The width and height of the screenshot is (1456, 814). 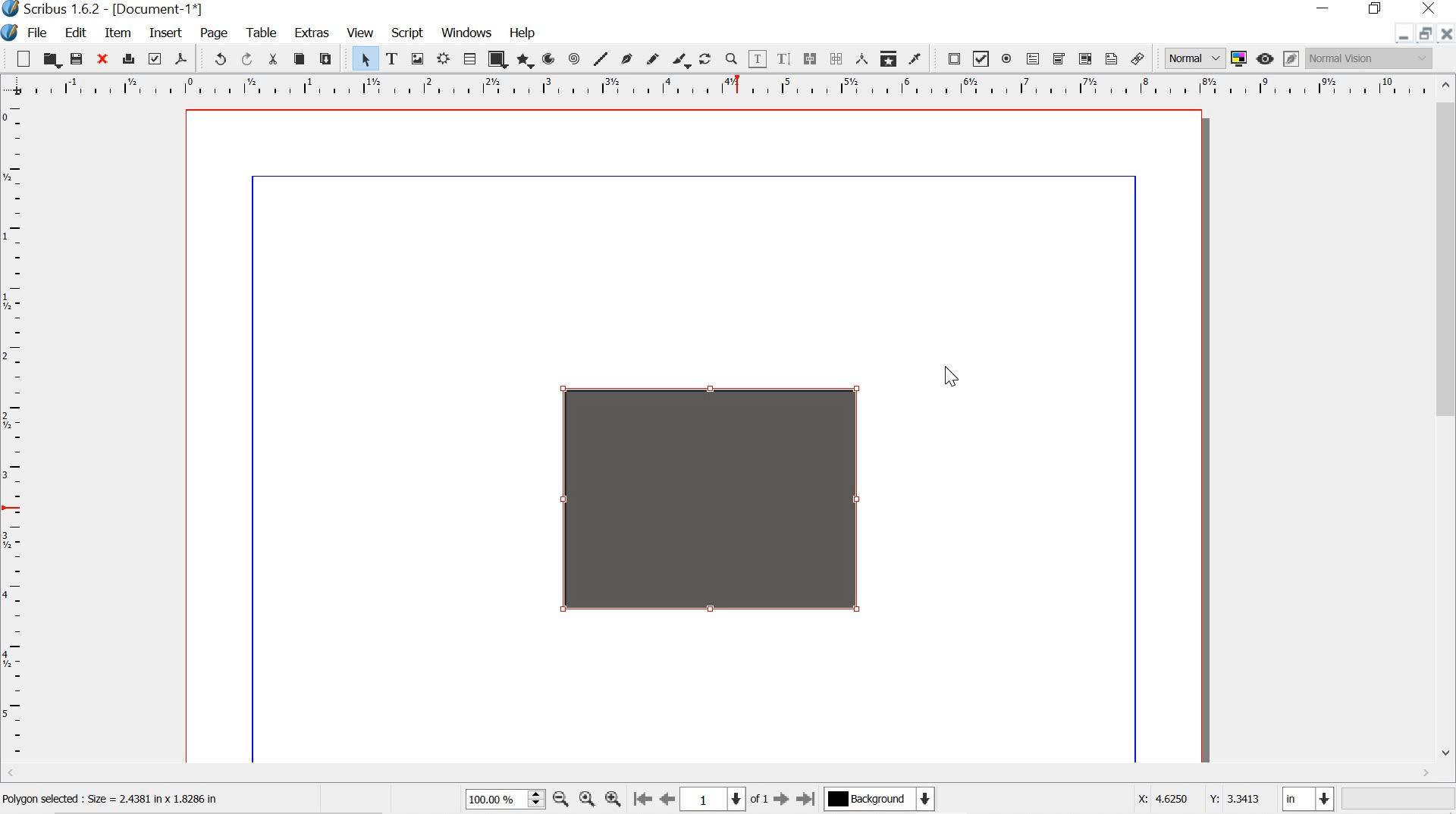 What do you see at coordinates (679, 60) in the screenshot?
I see `calligraphic line` at bounding box center [679, 60].